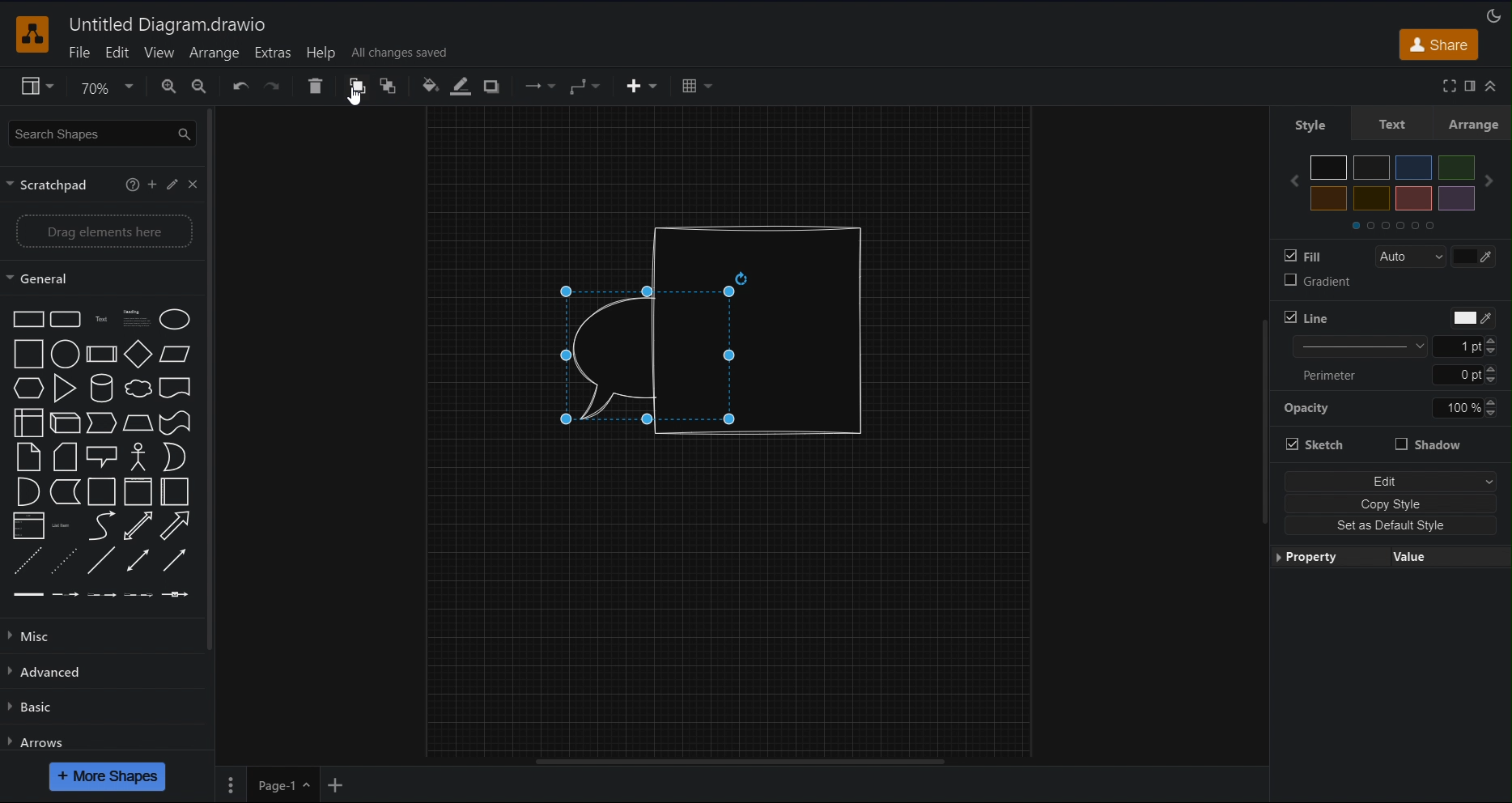  Describe the element at coordinates (28, 457) in the screenshot. I see `Note` at that location.